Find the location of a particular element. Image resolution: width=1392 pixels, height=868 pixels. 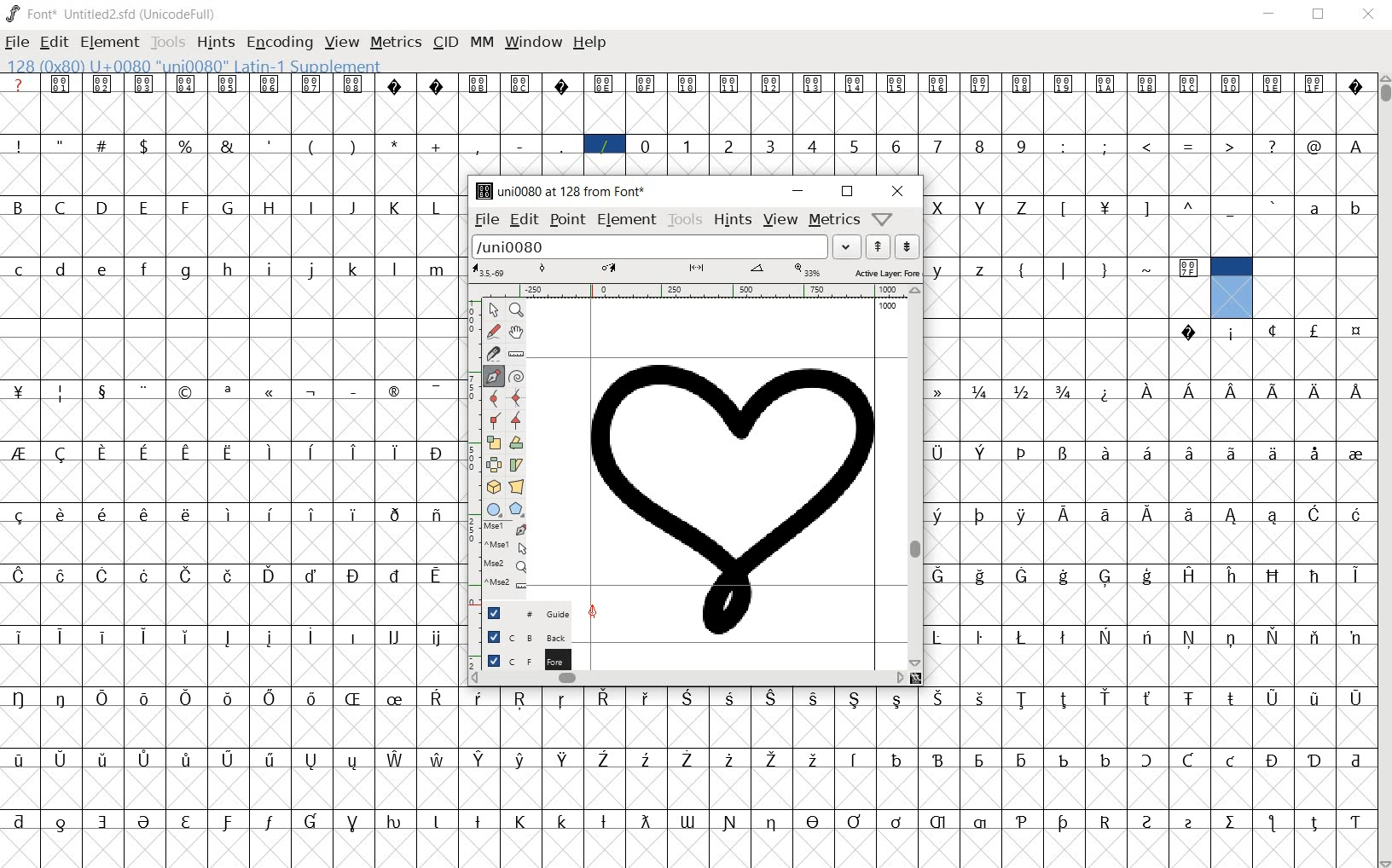

glyph is located at coordinates (1356, 823).